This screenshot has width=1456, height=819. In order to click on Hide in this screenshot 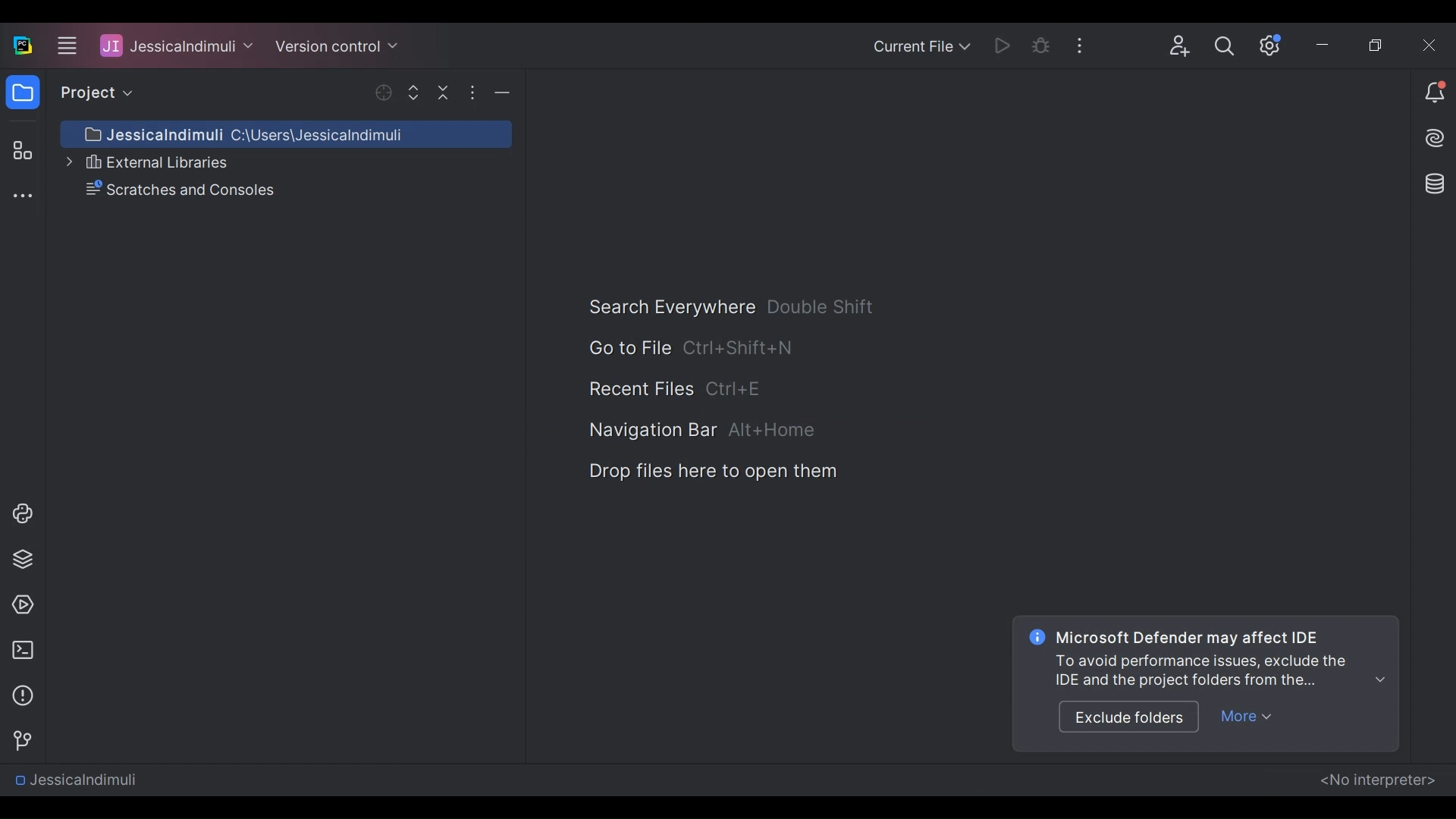, I will do `click(504, 93)`.